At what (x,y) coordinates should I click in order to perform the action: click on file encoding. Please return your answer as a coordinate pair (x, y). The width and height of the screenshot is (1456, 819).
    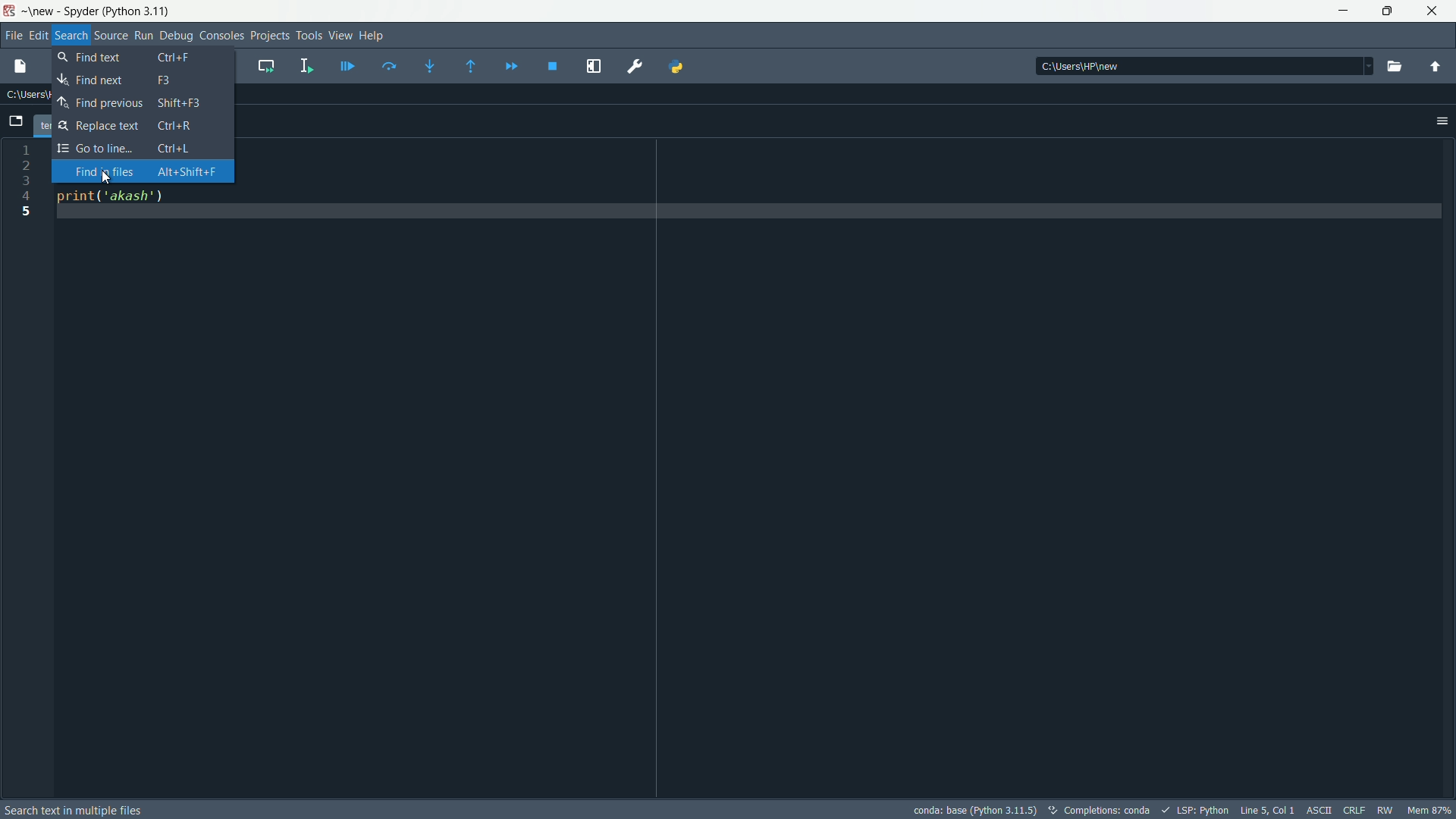
    Looking at the image, I should click on (1322, 809).